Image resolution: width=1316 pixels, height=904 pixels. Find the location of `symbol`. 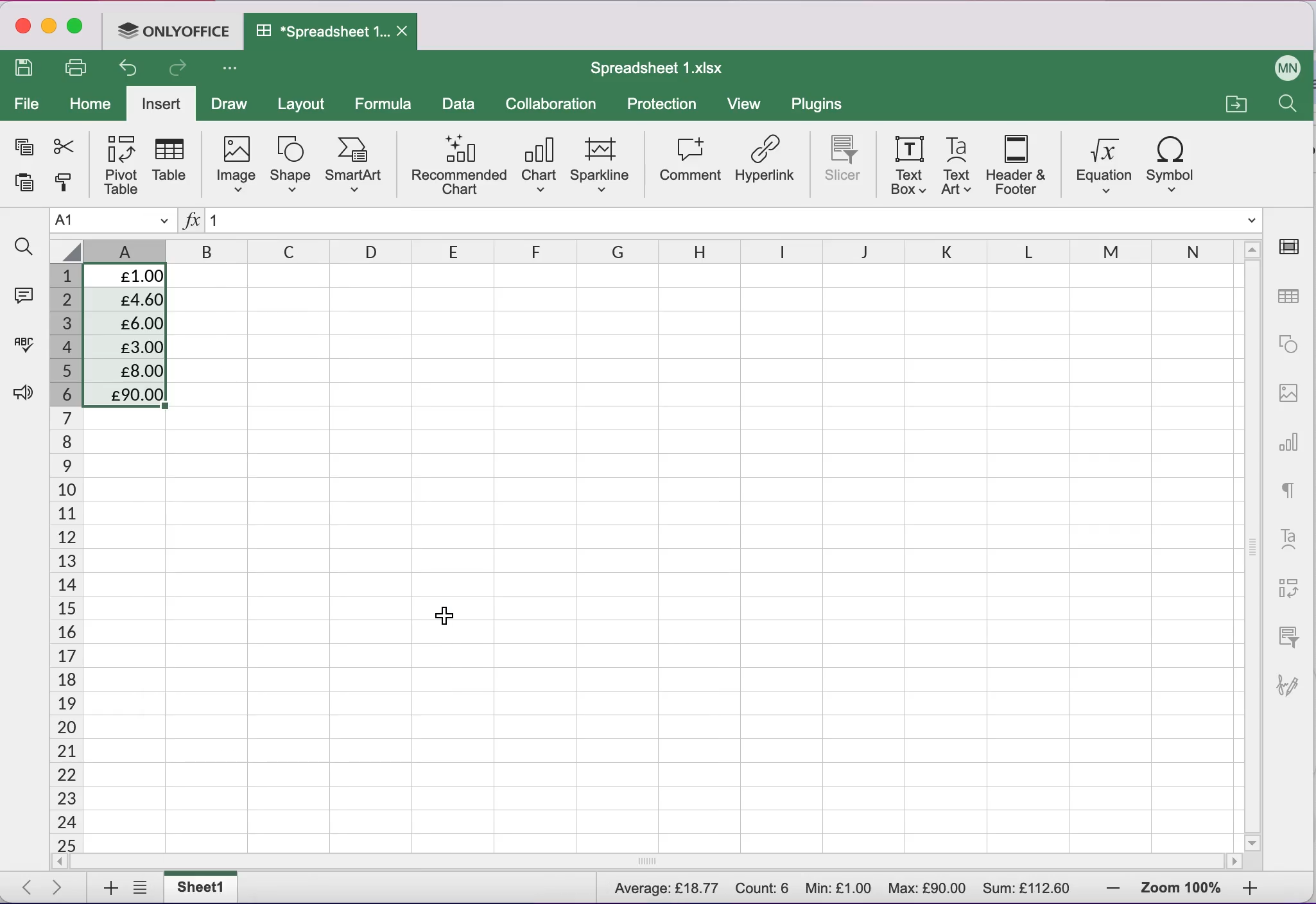

symbol is located at coordinates (1175, 164).